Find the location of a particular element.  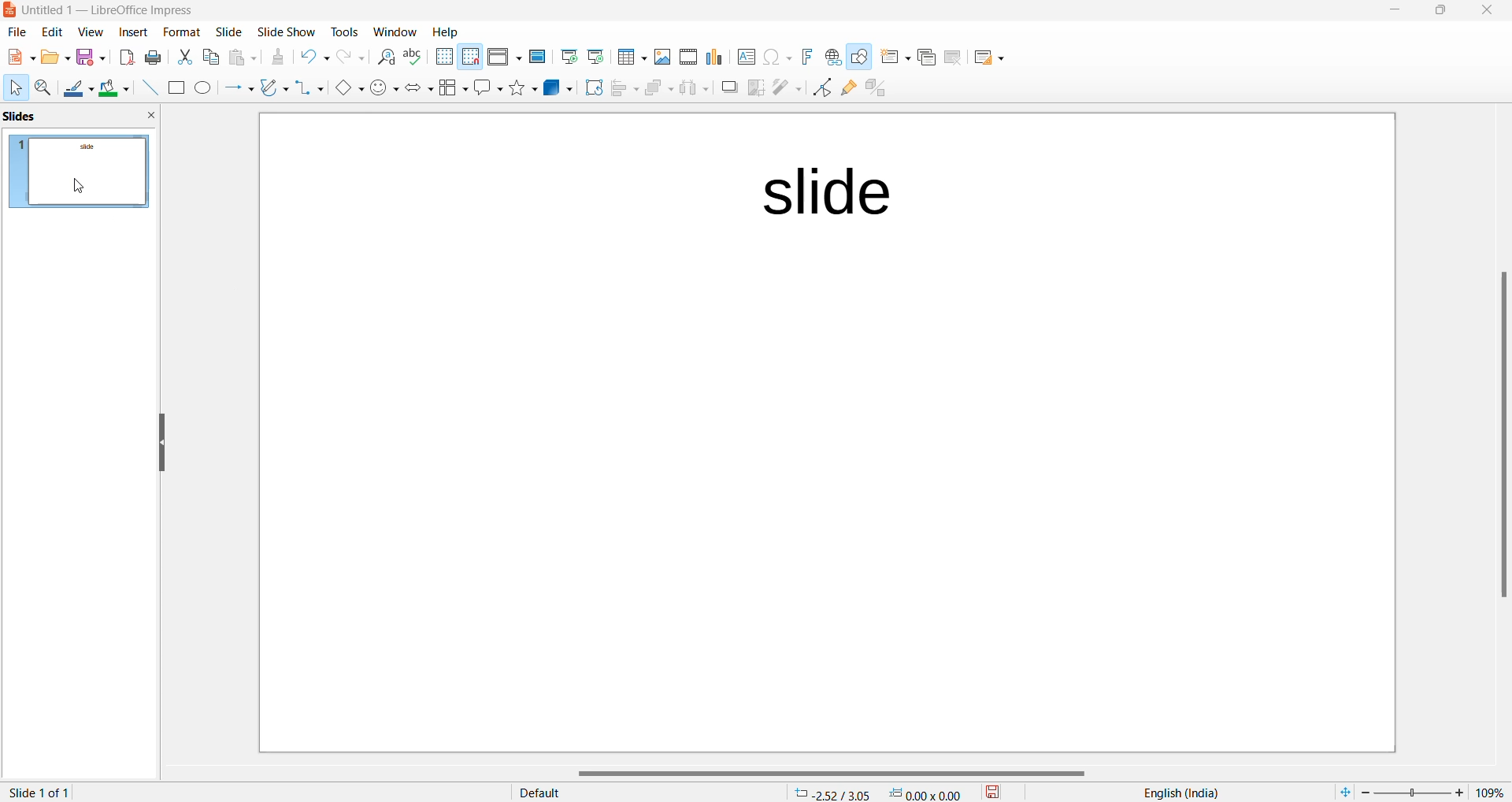

save is located at coordinates (994, 791).